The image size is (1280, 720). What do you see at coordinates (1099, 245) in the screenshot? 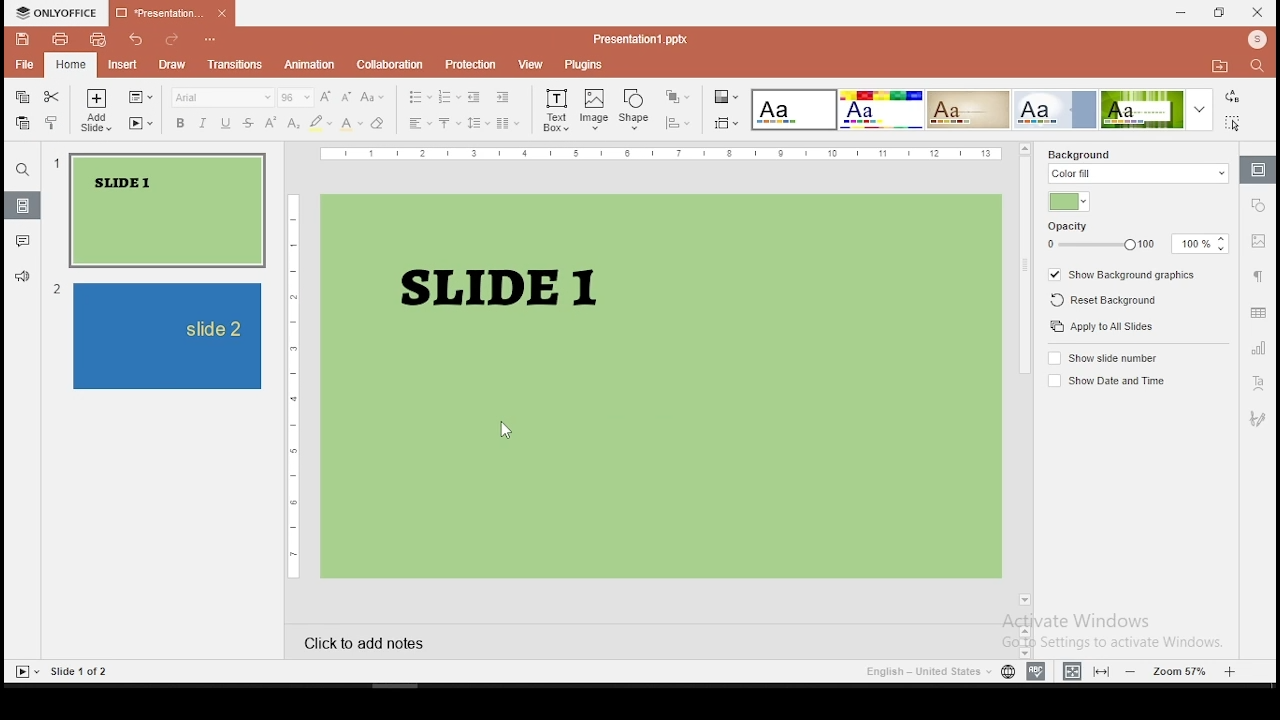
I see `opacity slider` at bounding box center [1099, 245].